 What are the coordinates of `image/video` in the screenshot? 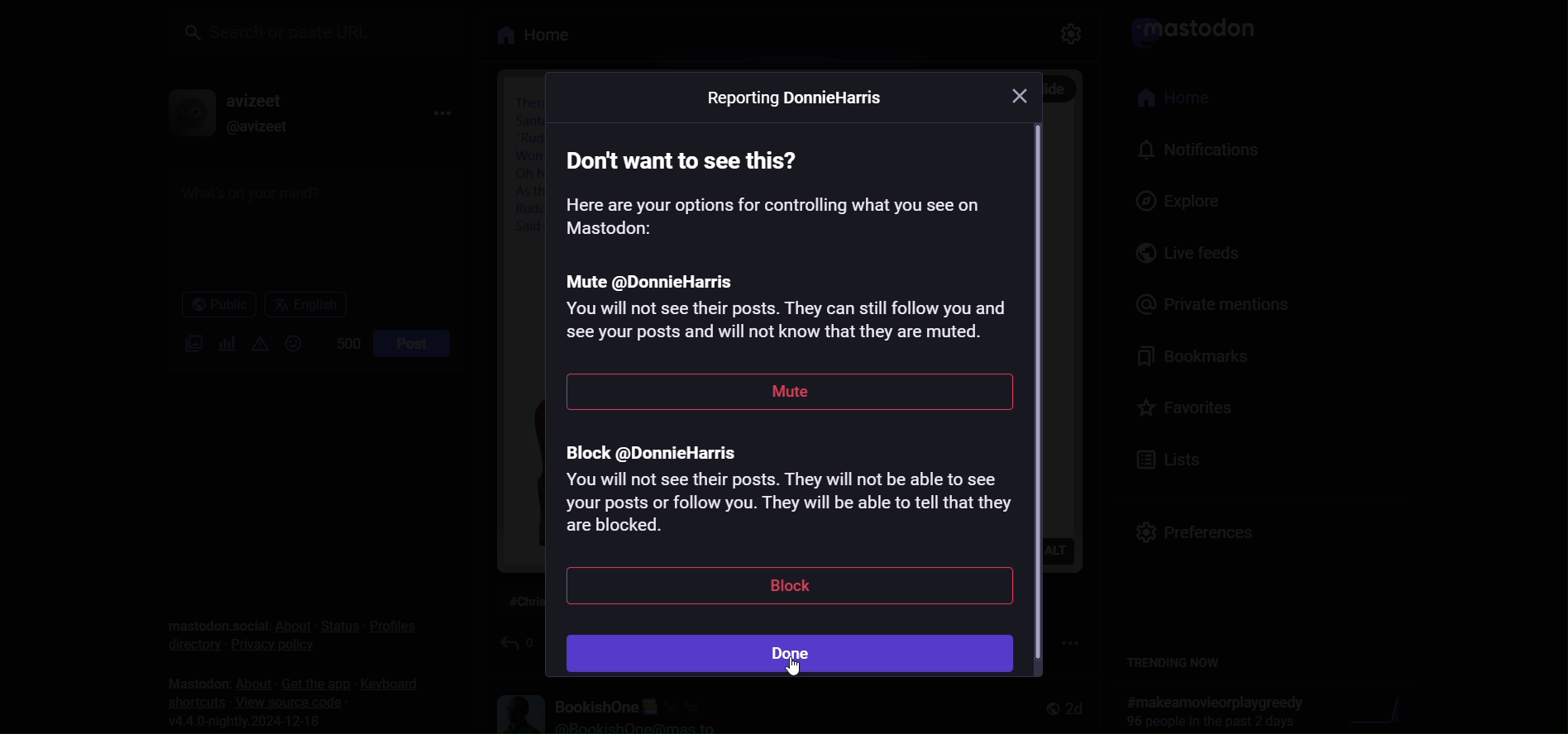 It's located at (185, 345).